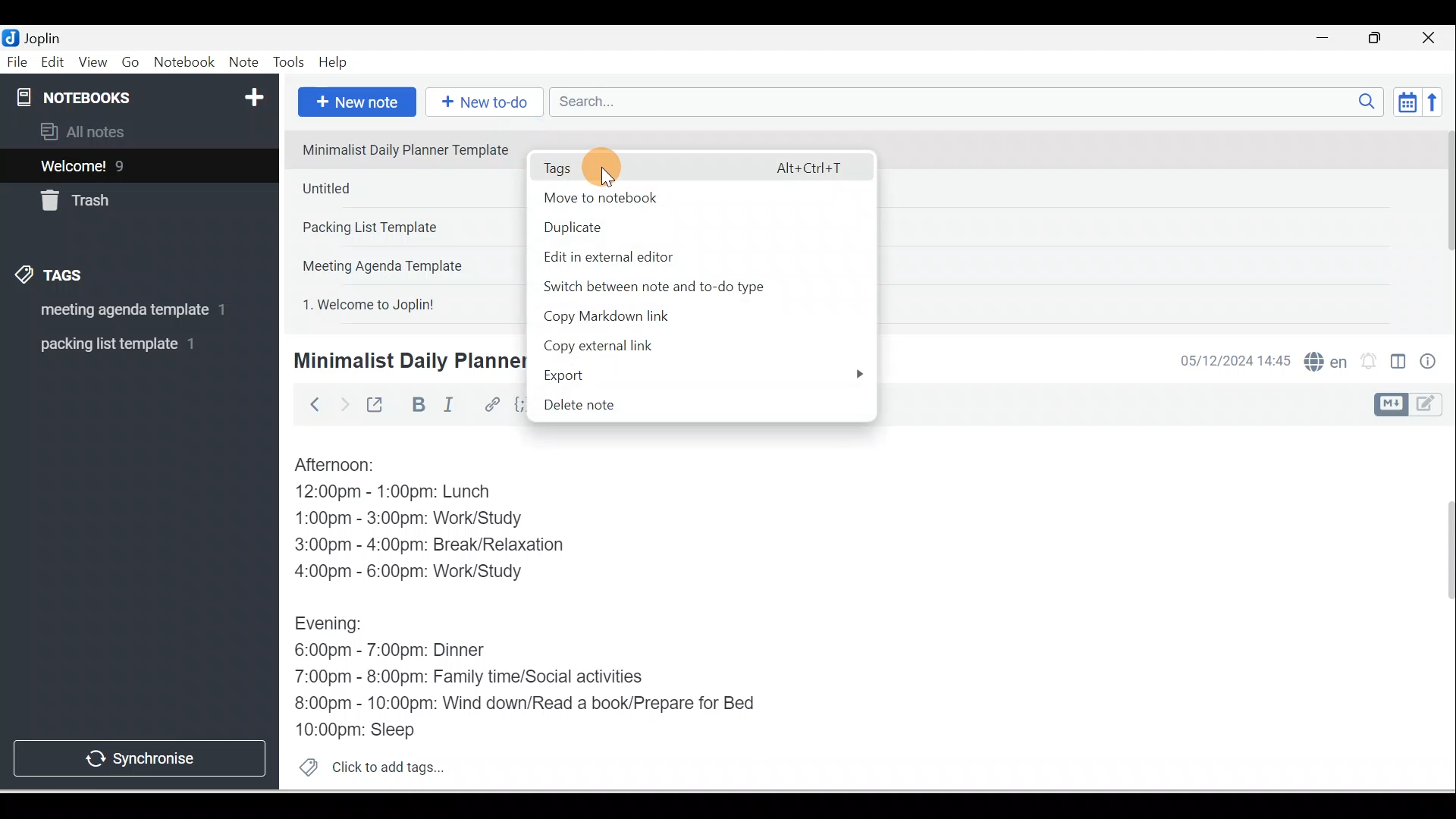  What do you see at coordinates (54, 278) in the screenshot?
I see `Tags` at bounding box center [54, 278].